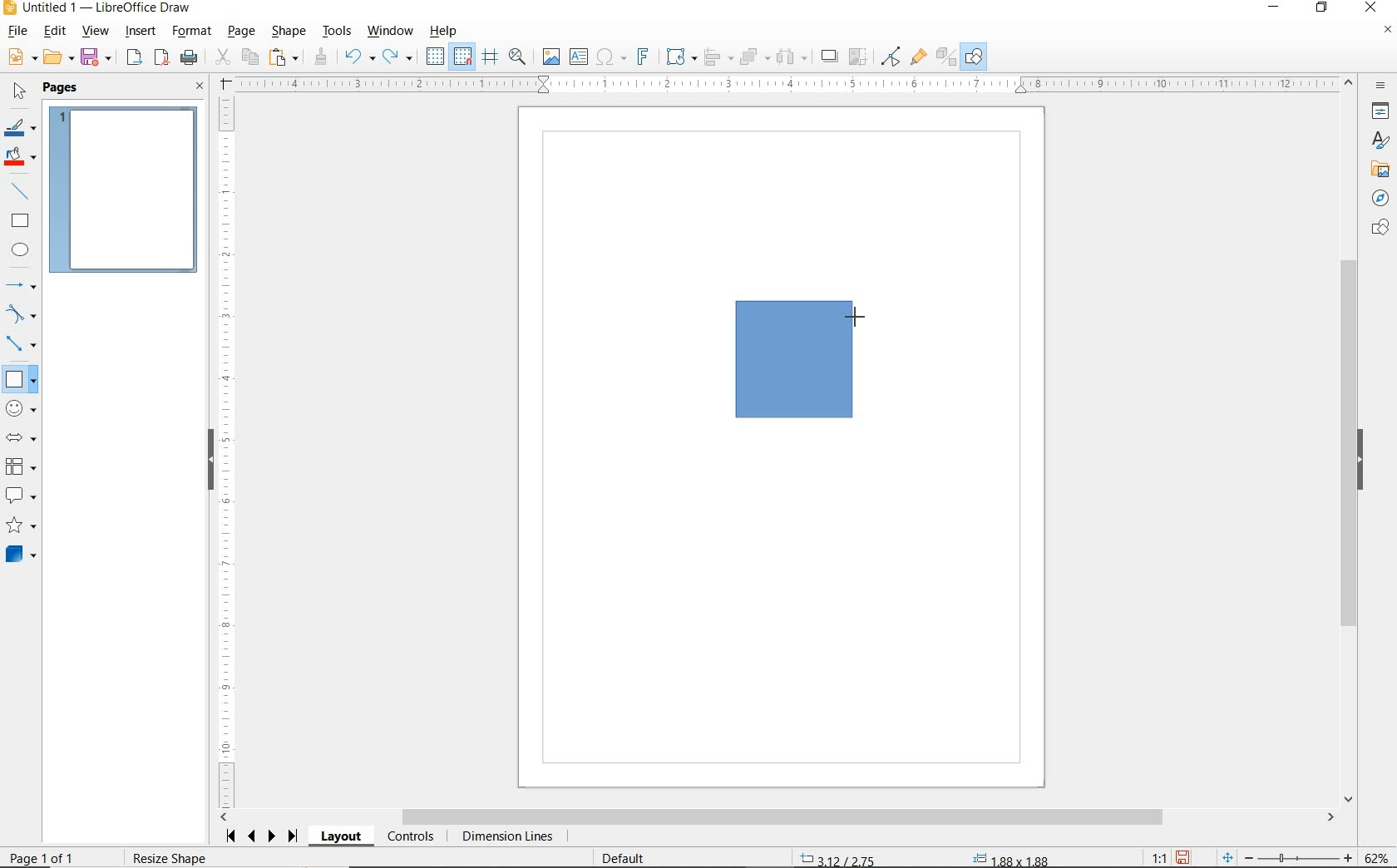 The image size is (1397, 868). Describe the element at coordinates (437, 57) in the screenshot. I see `DISPLAY GRID` at that location.